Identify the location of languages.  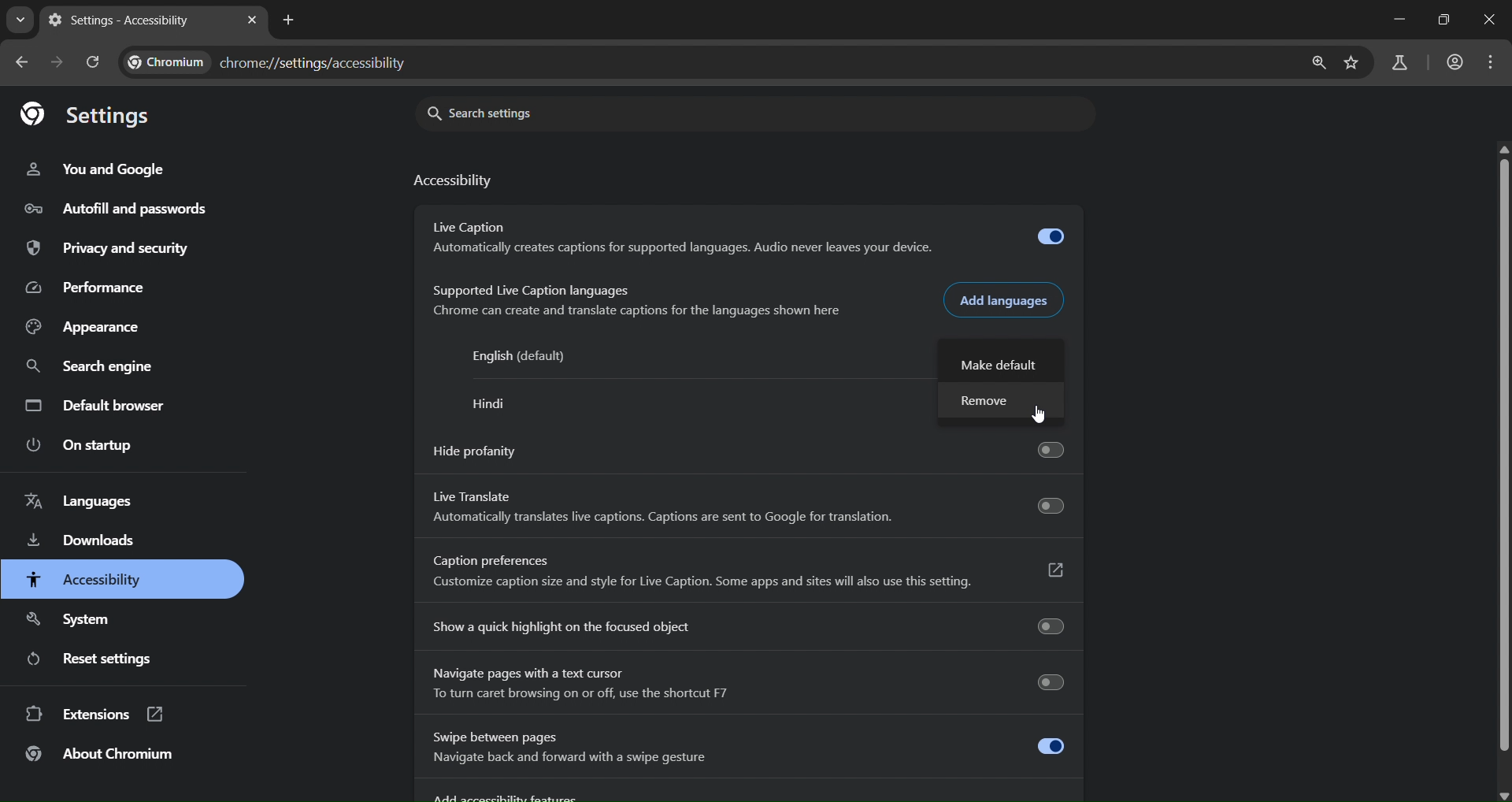
(80, 501).